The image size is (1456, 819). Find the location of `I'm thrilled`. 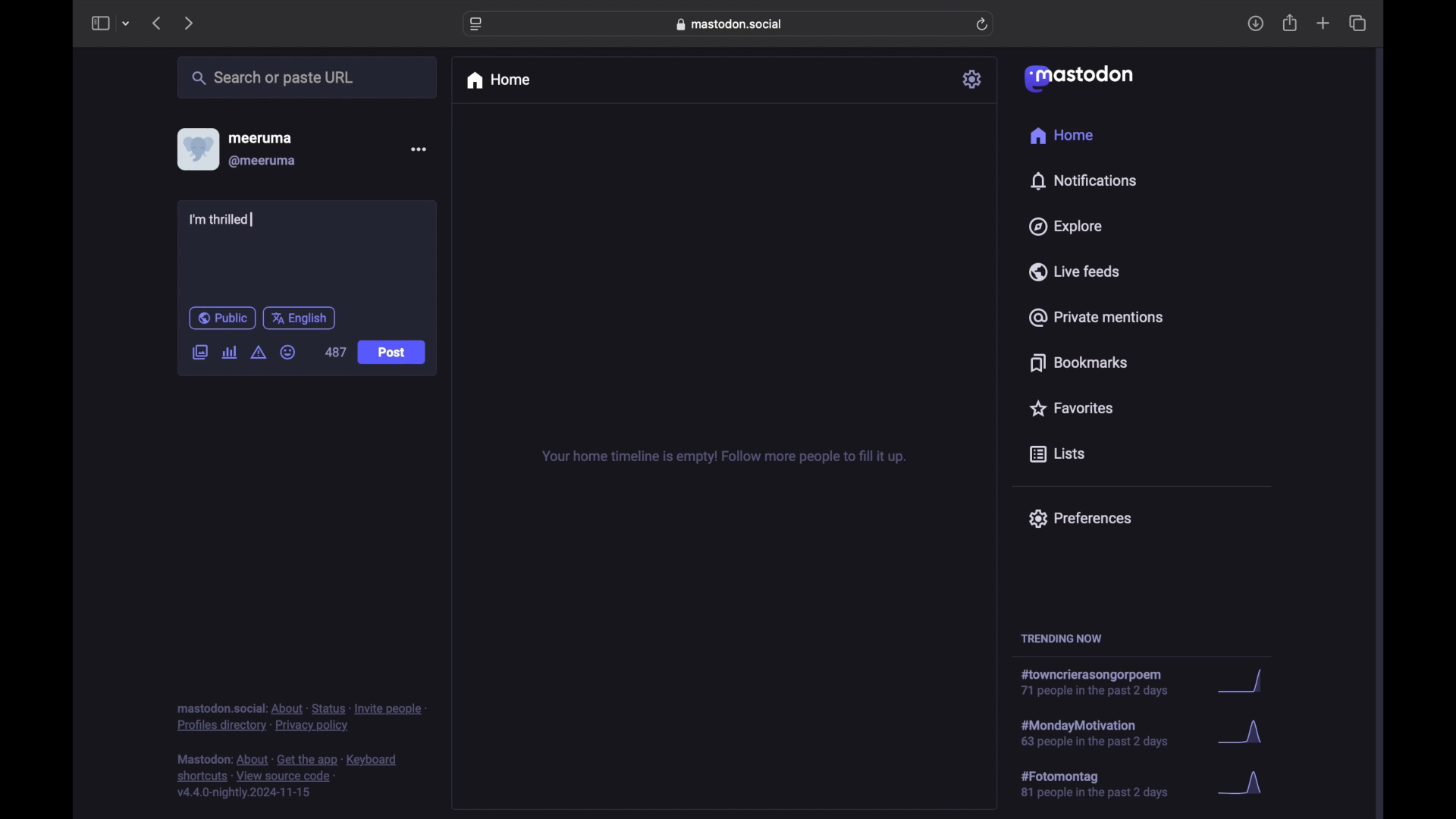

I'm thrilled is located at coordinates (227, 221).